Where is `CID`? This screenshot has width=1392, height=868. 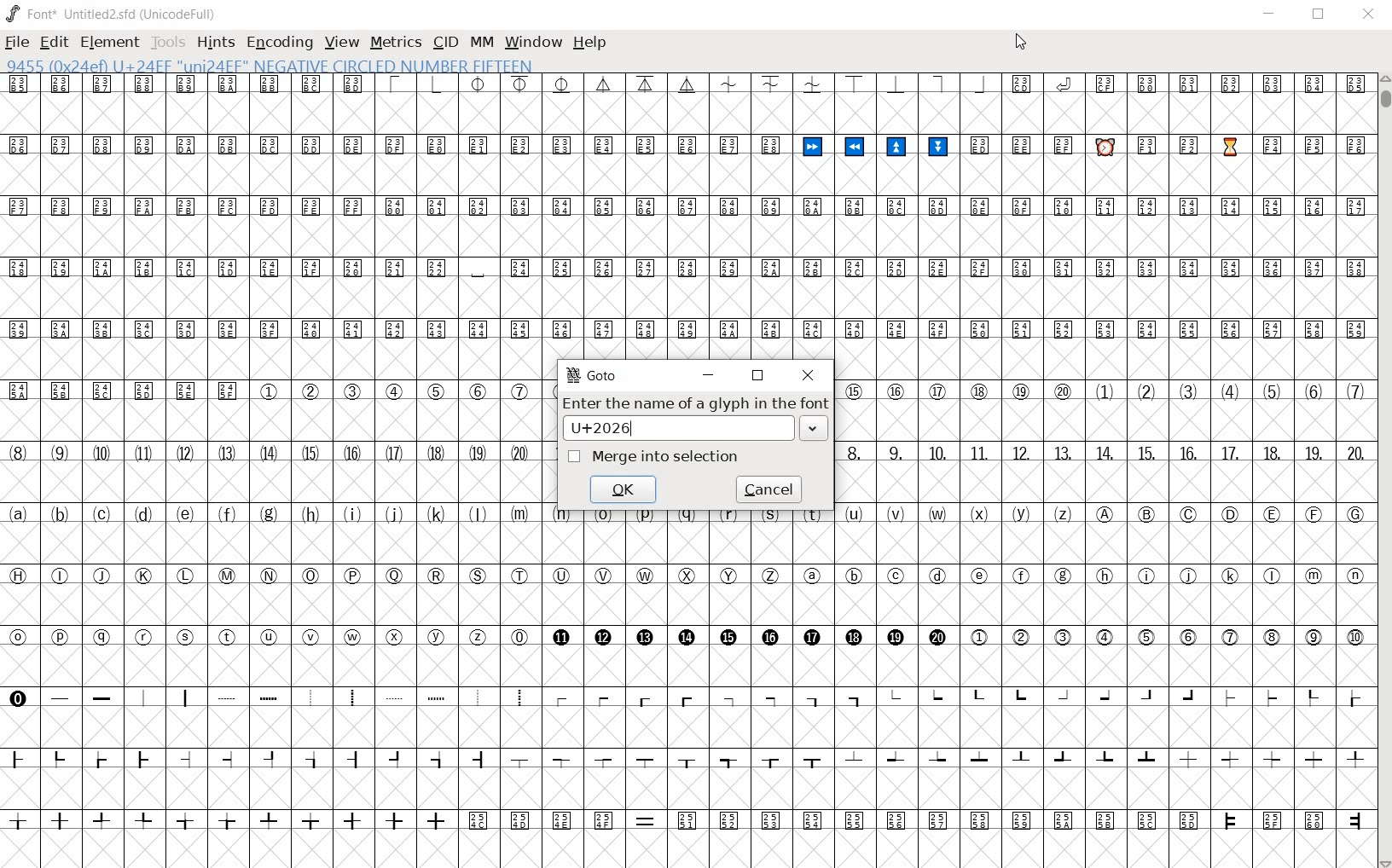 CID is located at coordinates (445, 43).